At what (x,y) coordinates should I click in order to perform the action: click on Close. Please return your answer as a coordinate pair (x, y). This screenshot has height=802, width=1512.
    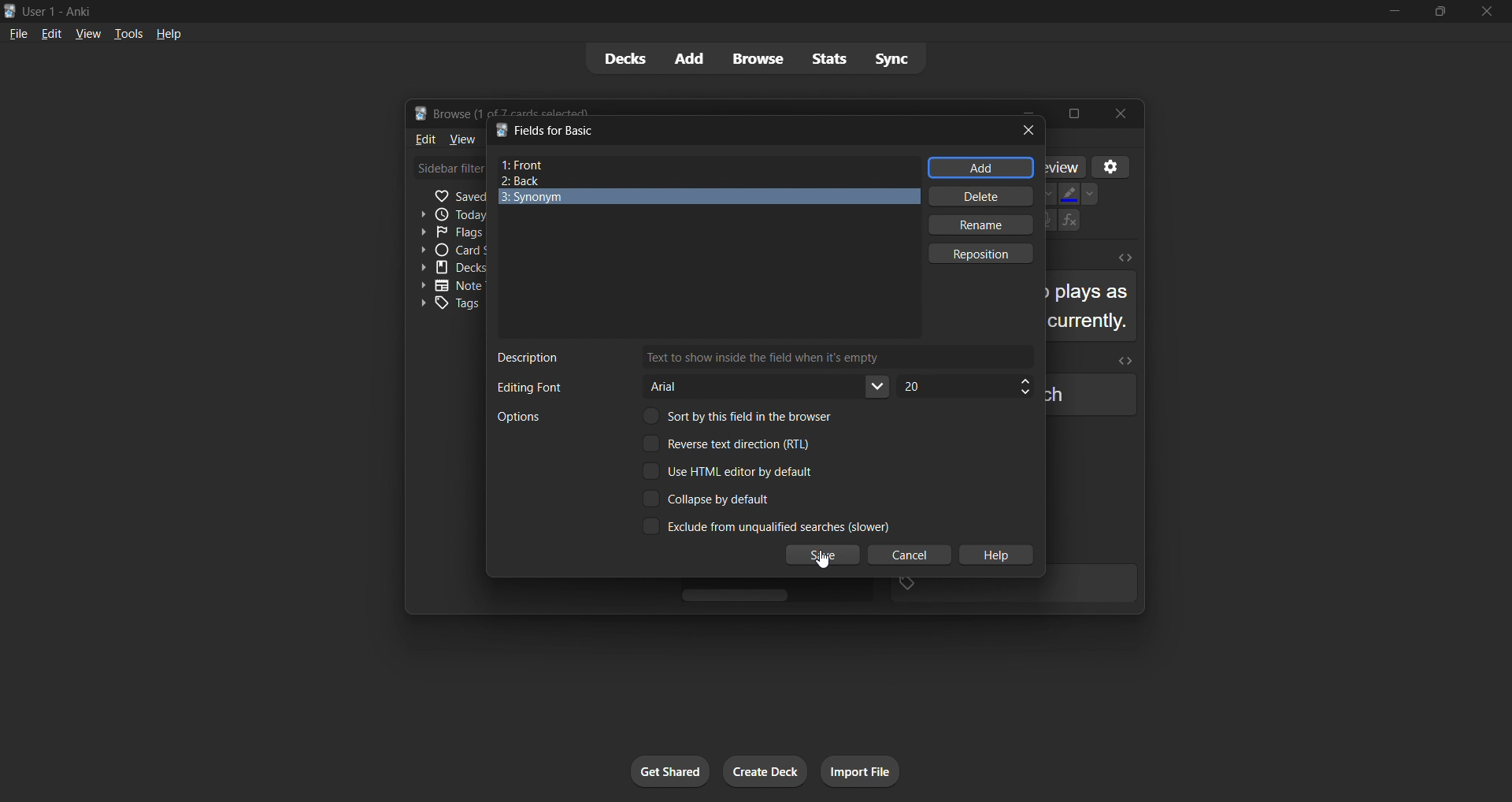
    Looking at the image, I should click on (1124, 114).